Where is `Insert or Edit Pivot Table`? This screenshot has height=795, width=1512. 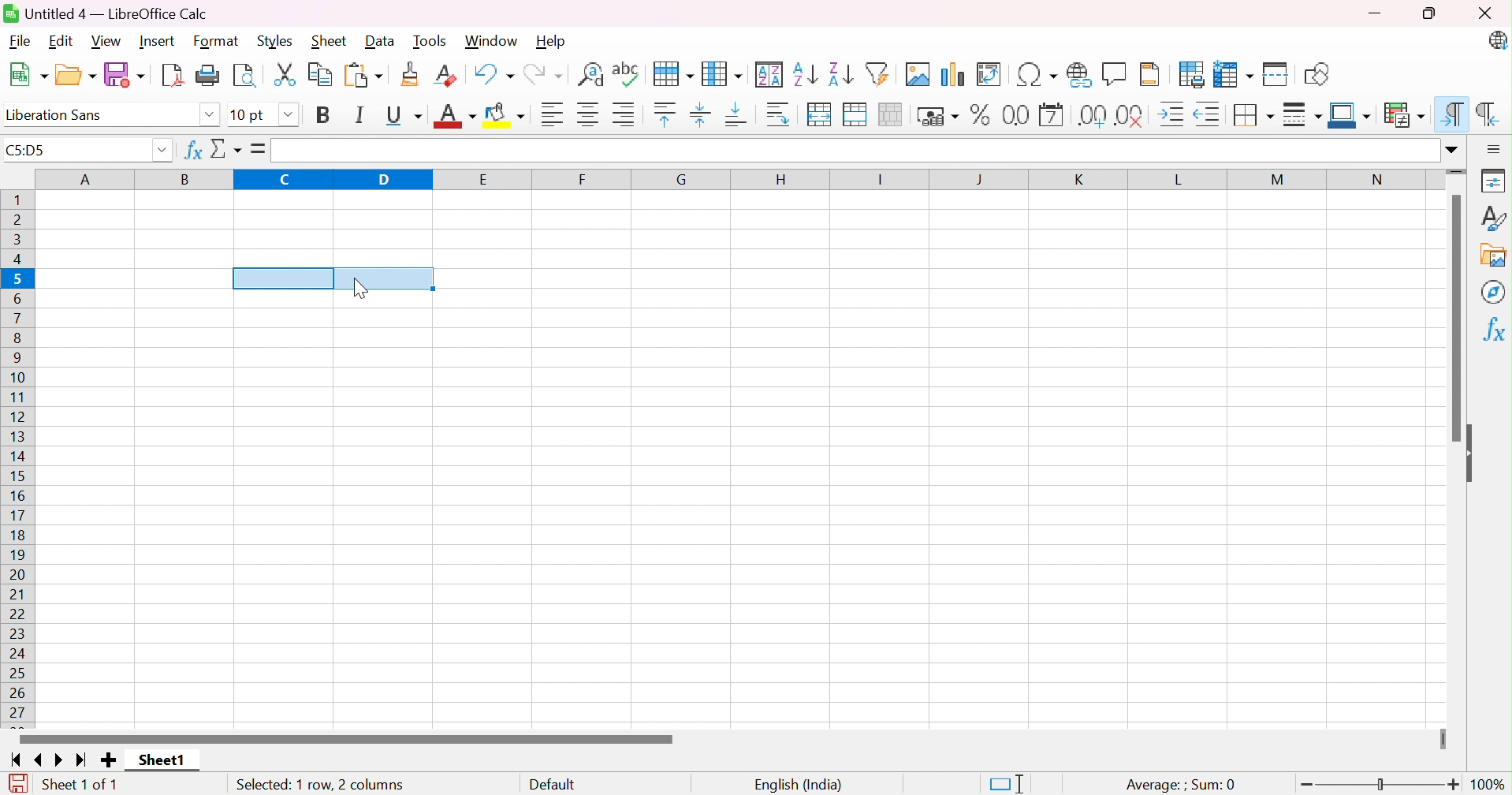 Insert or Edit Pivot Table is located at coordinates (991, 74).